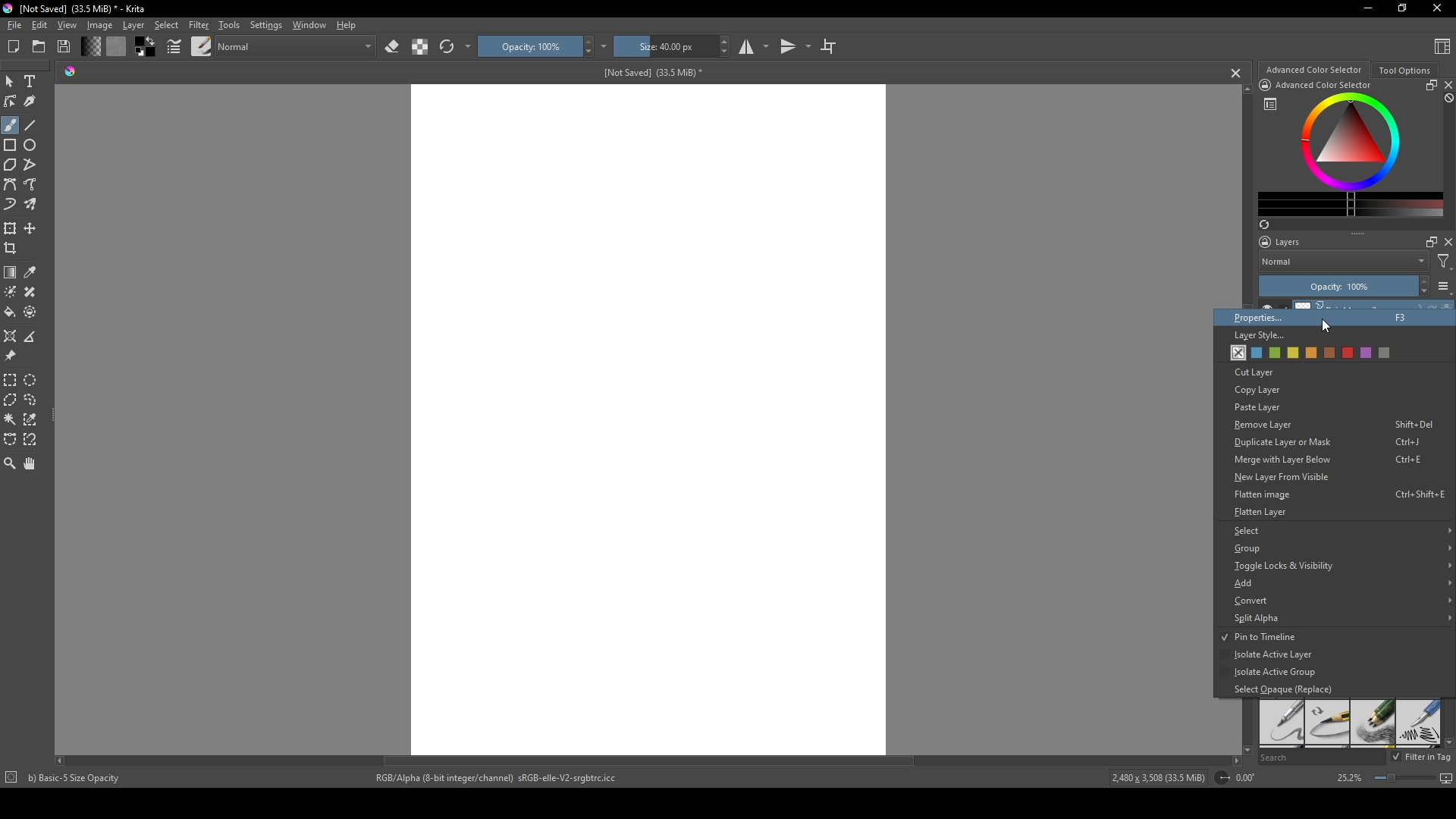  Describe the element at coordinates (1237, 73) in the screenshot. I see `cancel` at that location.